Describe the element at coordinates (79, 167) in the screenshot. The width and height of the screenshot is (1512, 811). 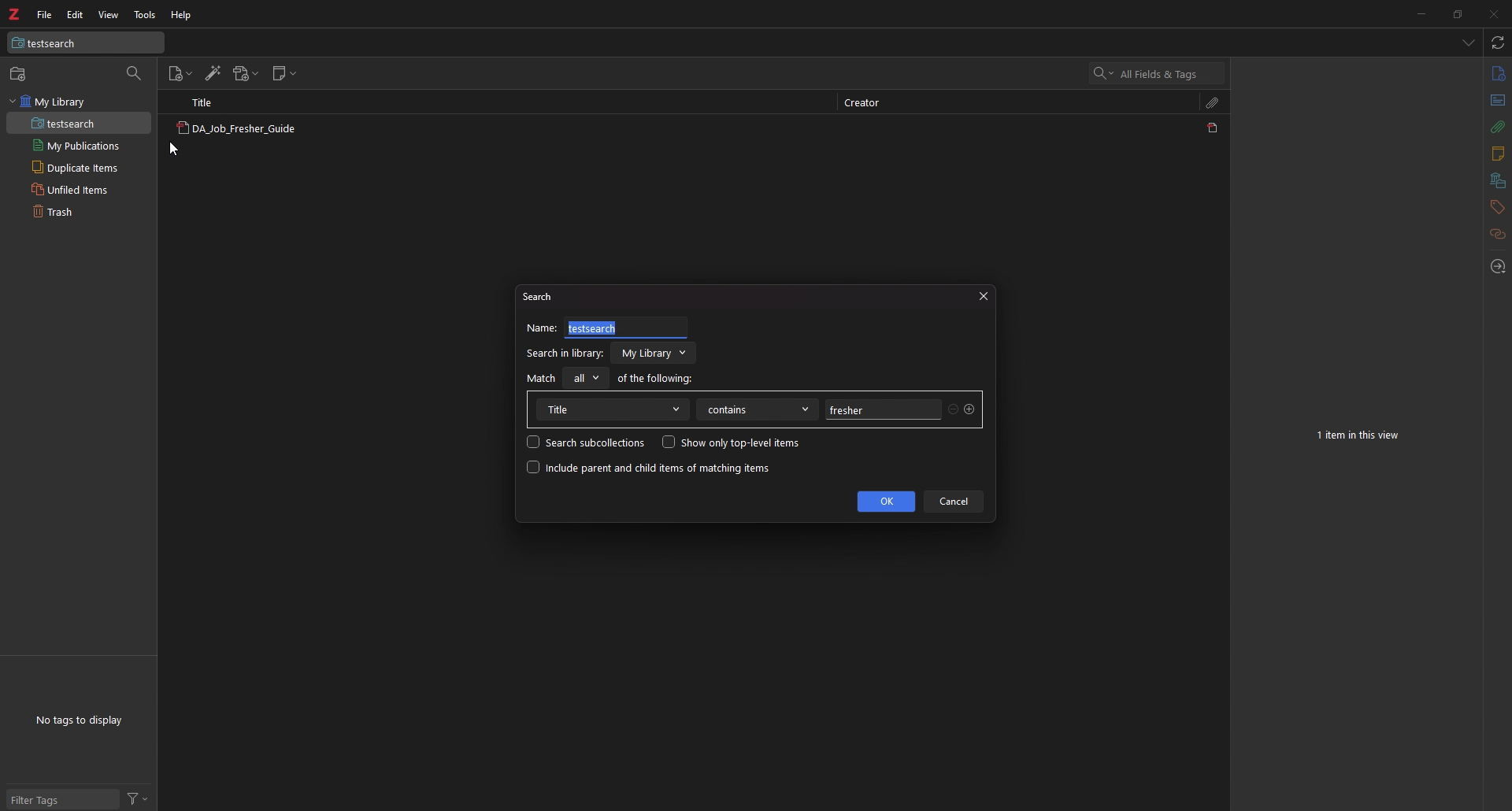
I see `duplicate items` at that location.